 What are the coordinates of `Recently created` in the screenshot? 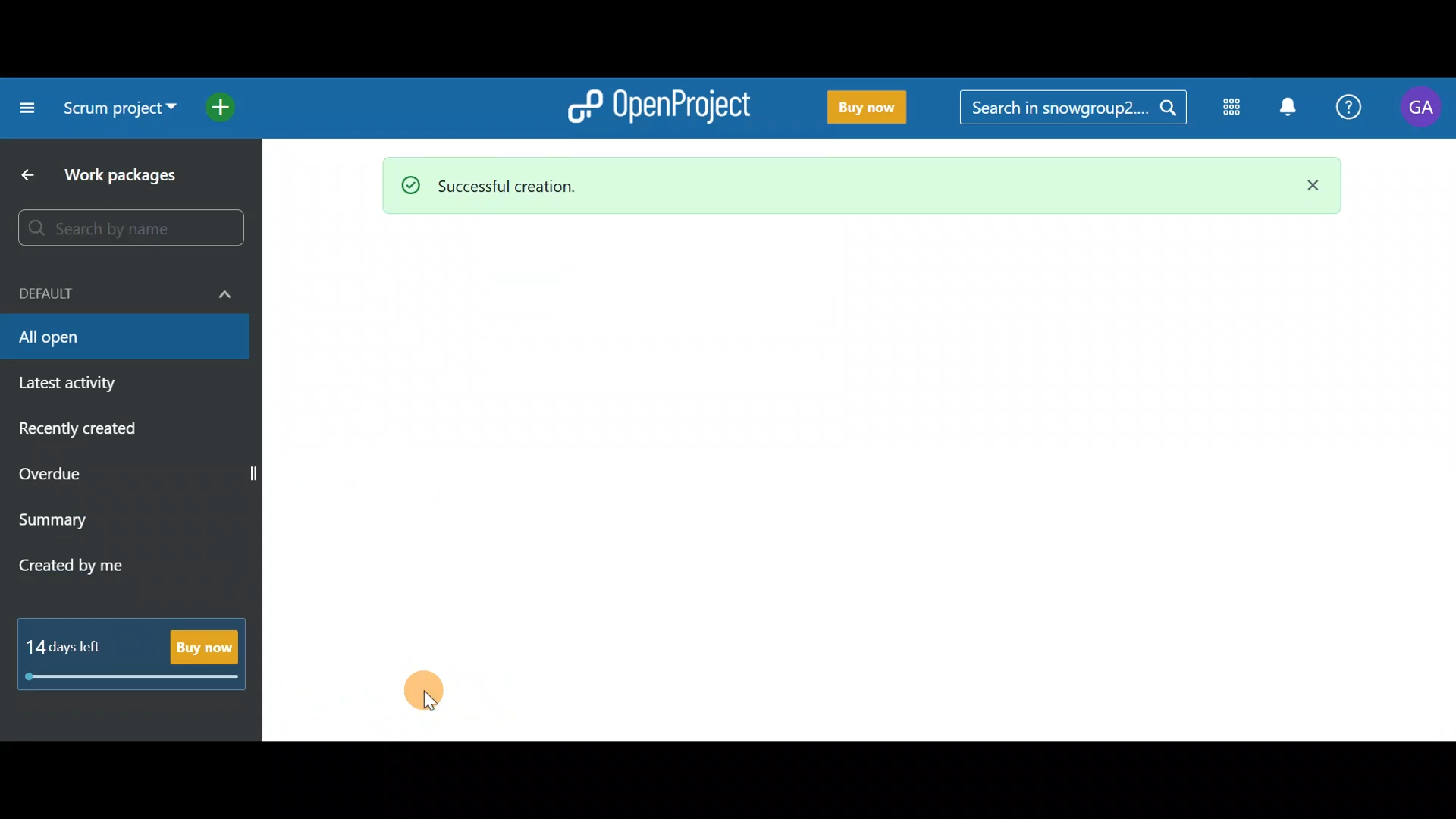 It's located at (120, 431).